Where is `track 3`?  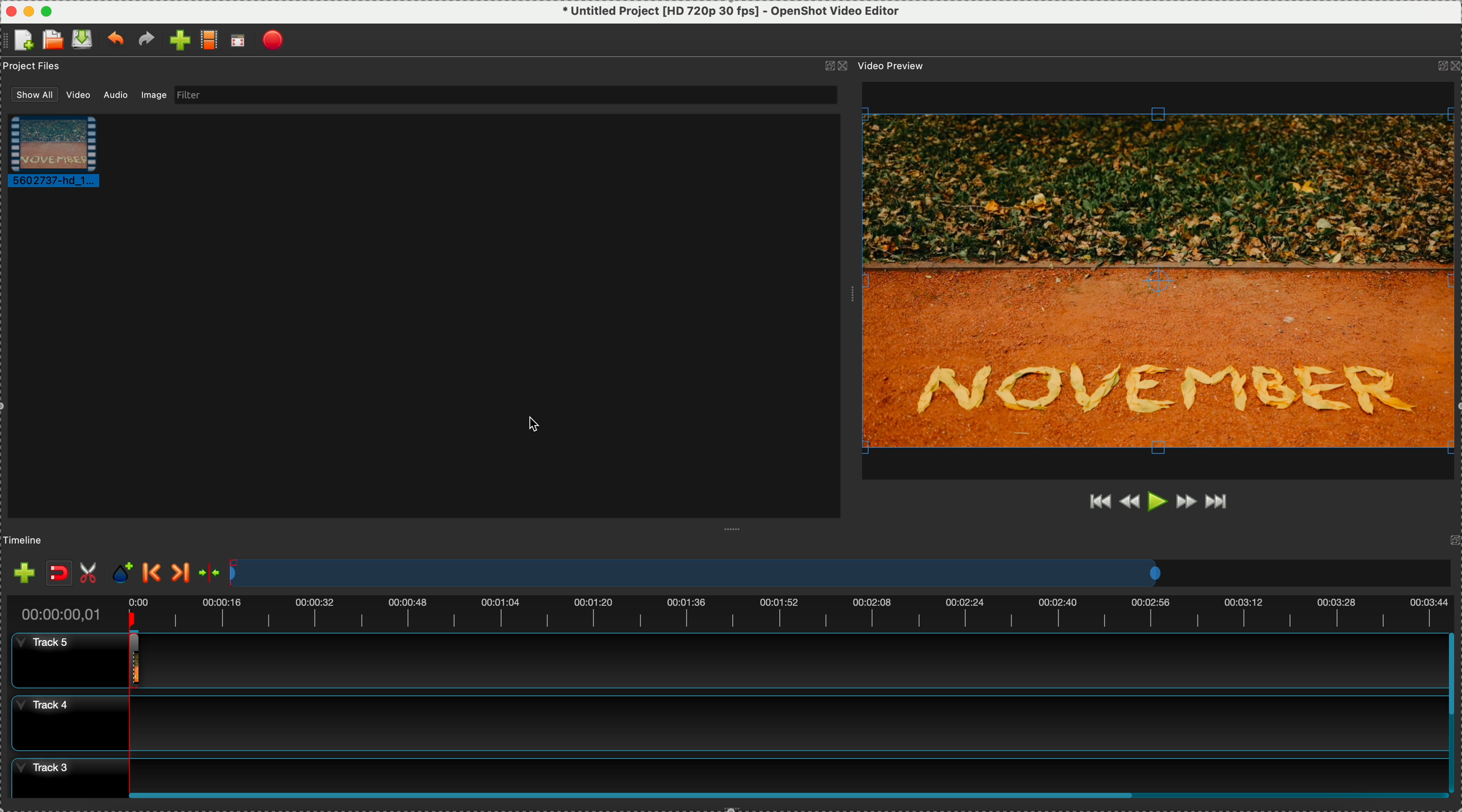
track 3 is located at coordinates (720, 771).